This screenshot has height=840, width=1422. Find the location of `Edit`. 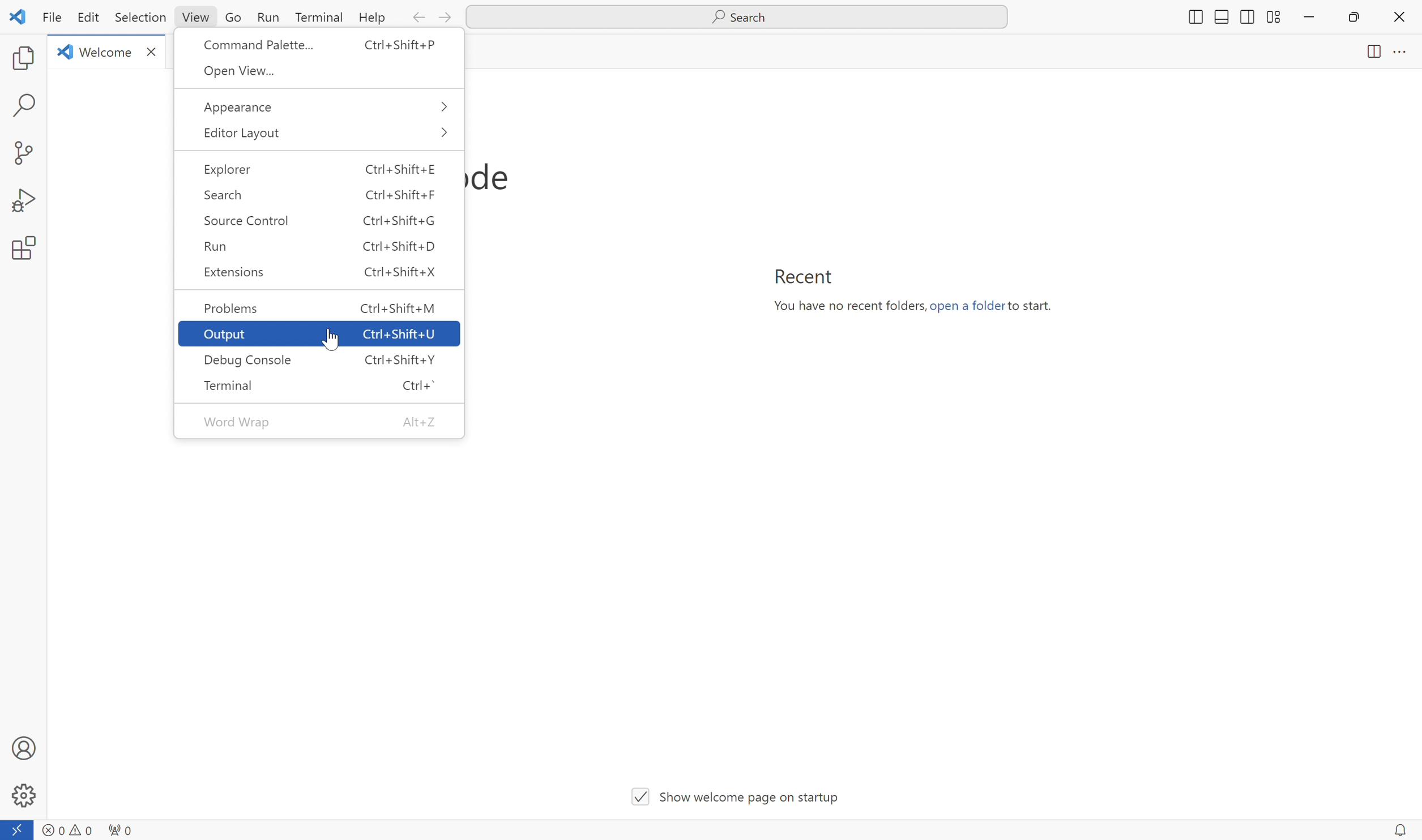

Edit is located at coordinates (91, 19).